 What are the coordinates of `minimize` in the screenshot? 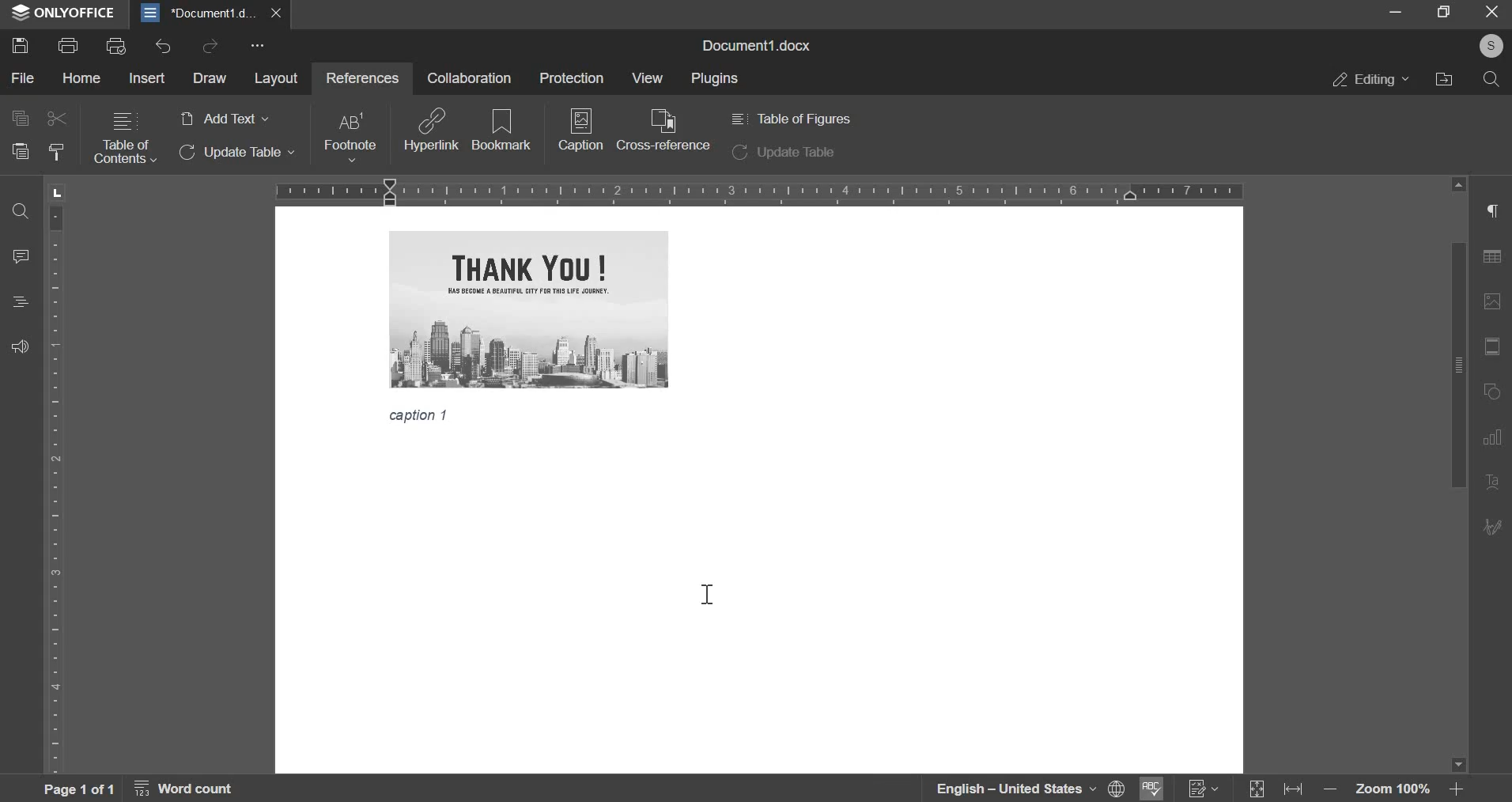 It's located at (1396, 13).